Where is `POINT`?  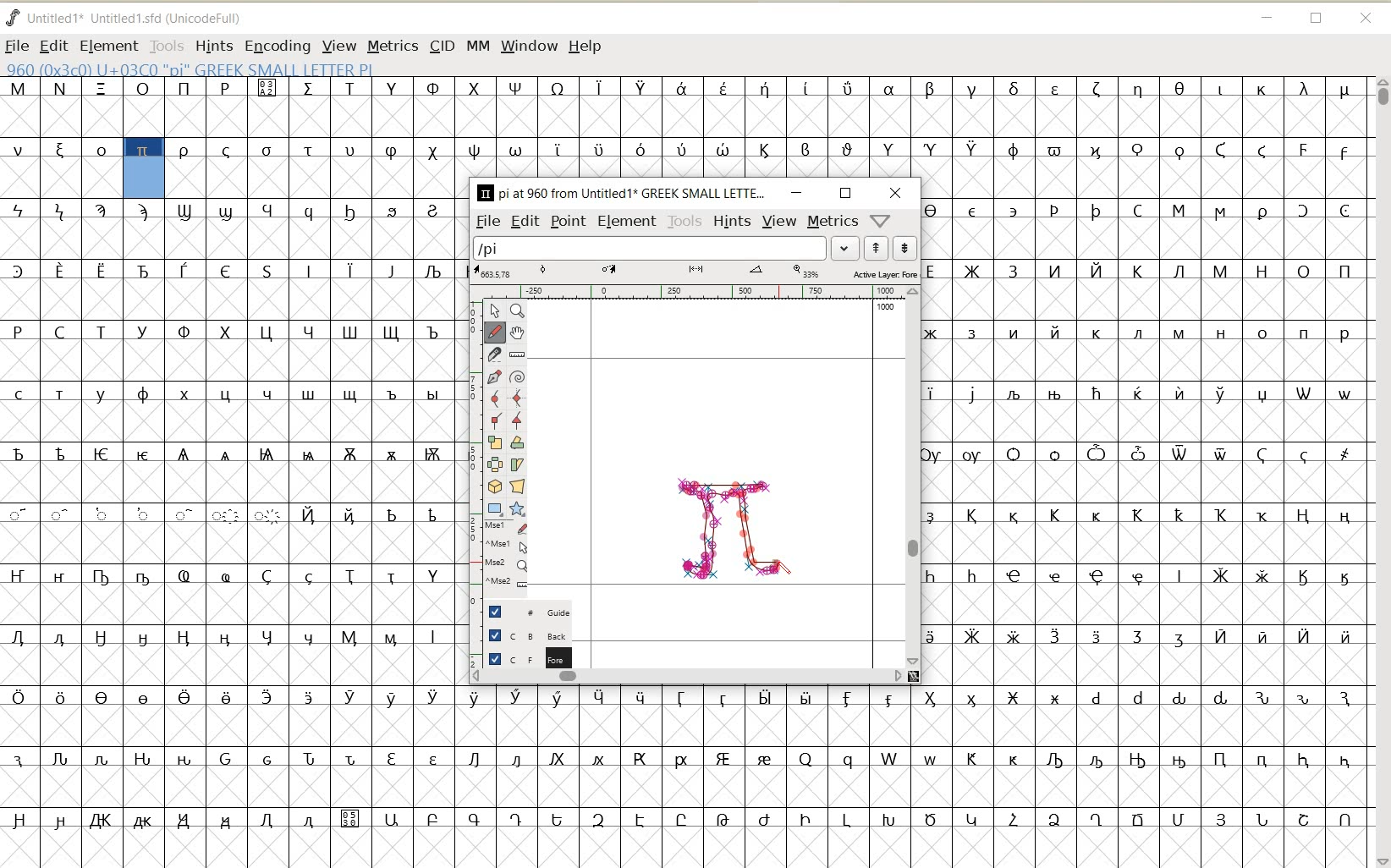 POINT is located at coordinates (568, 222).